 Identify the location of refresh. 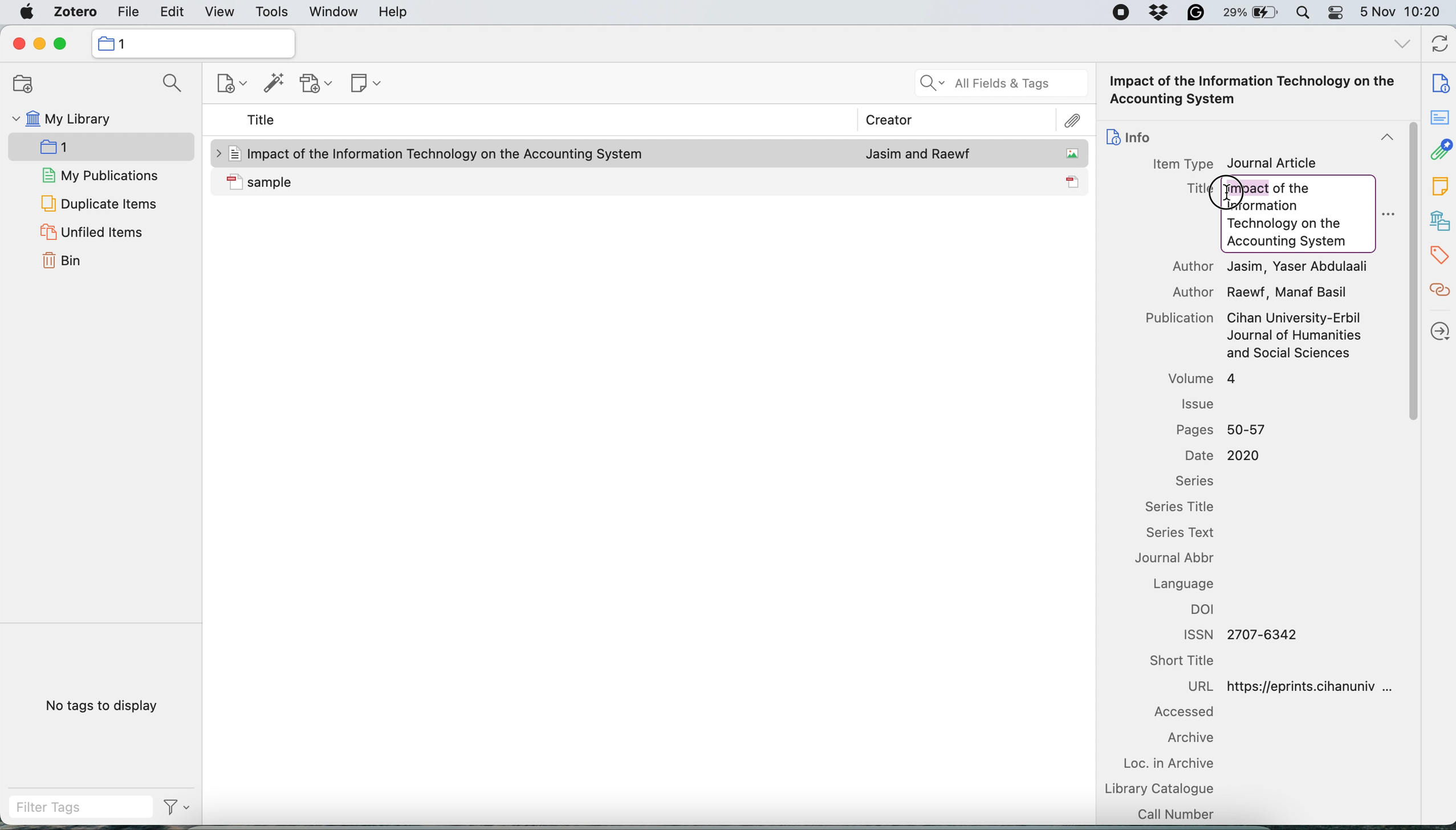
(1439, 46).